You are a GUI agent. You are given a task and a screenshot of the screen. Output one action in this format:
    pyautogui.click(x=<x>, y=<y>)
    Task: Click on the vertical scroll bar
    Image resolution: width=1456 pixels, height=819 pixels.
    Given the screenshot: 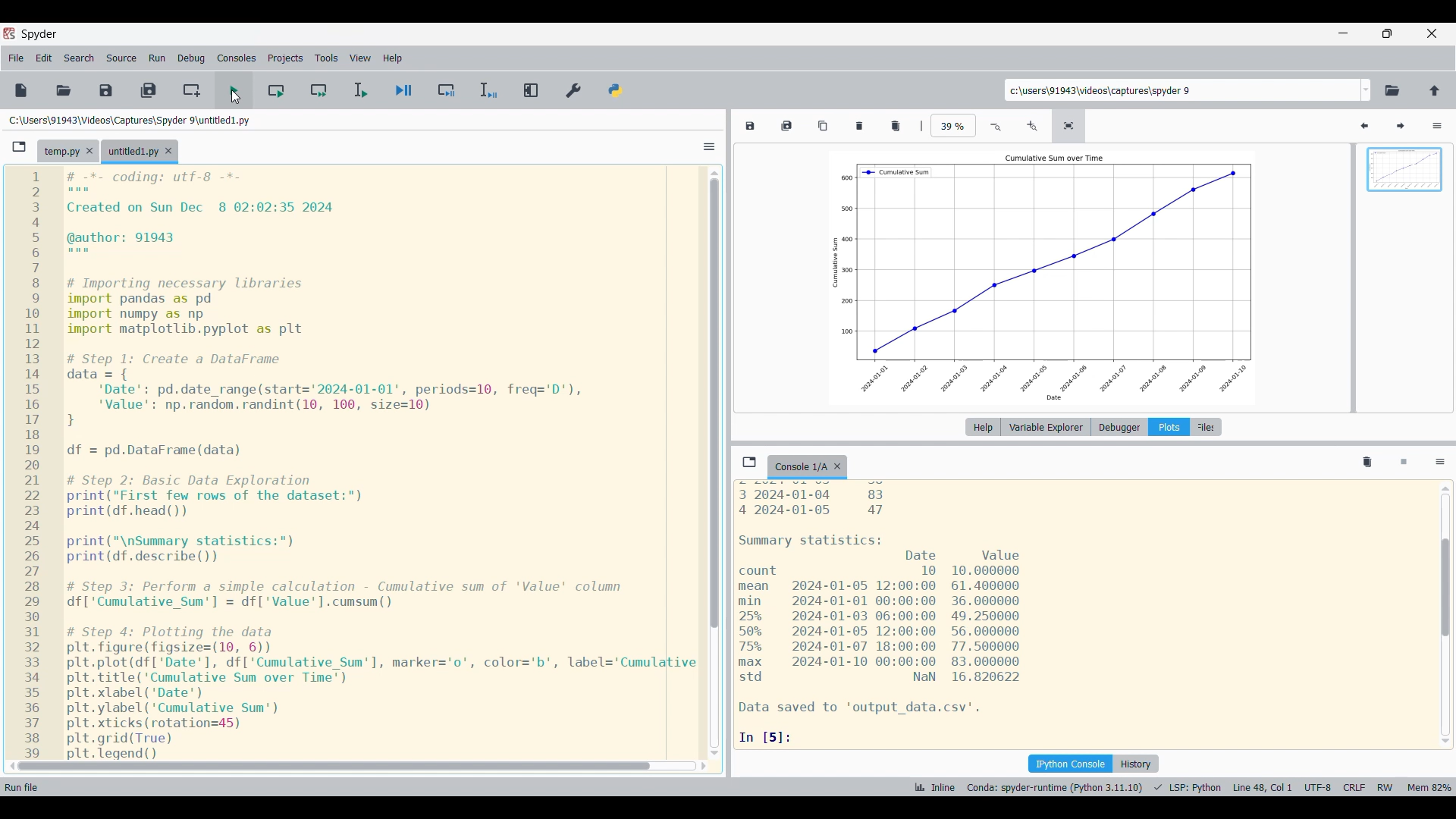 What is the action you would take?
    pyautogui.click(x=1447, y=615)
    